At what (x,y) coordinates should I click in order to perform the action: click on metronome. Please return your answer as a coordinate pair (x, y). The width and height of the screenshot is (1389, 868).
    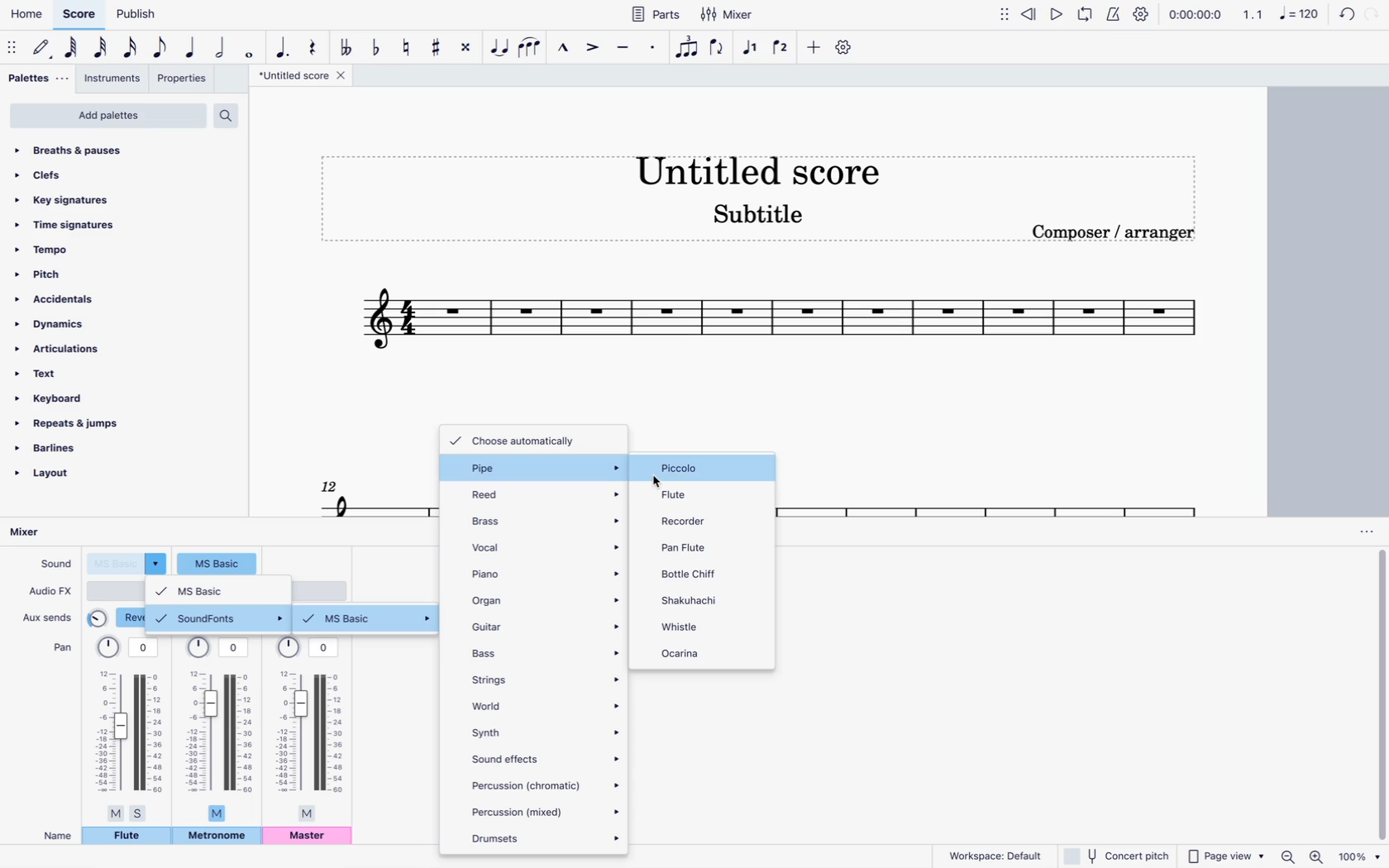
    Looking at the image, I should click on (1112, 13).